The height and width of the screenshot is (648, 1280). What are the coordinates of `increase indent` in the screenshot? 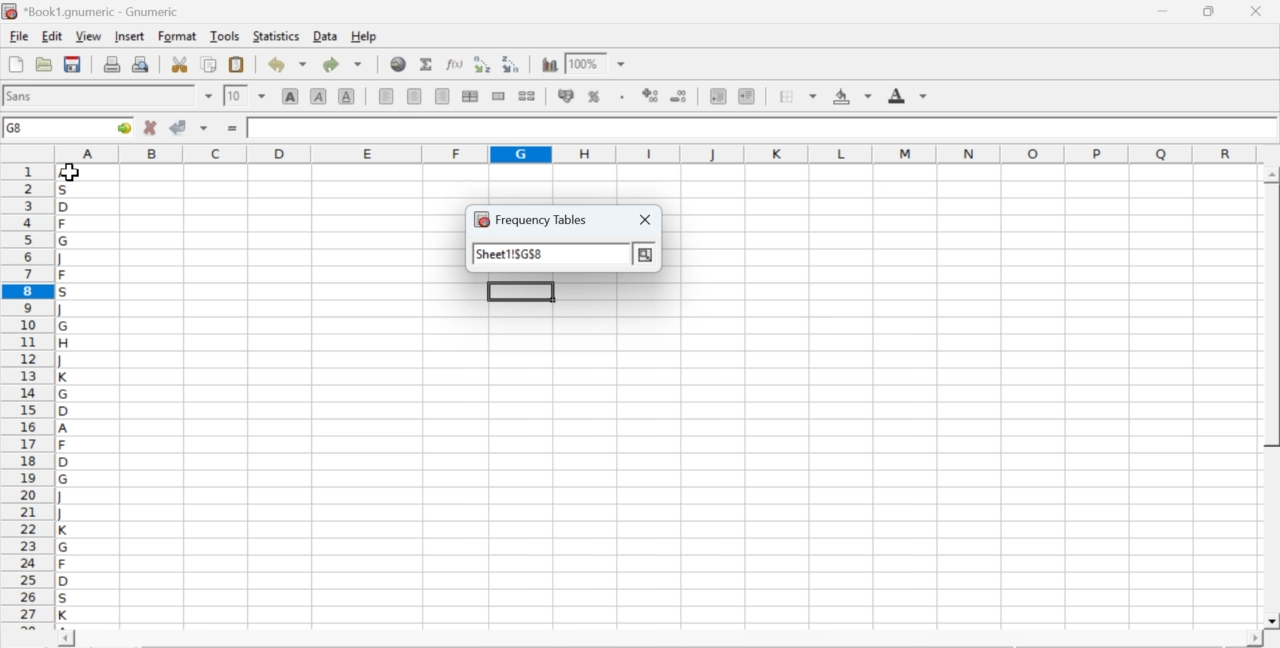 It's located at (746, 97).